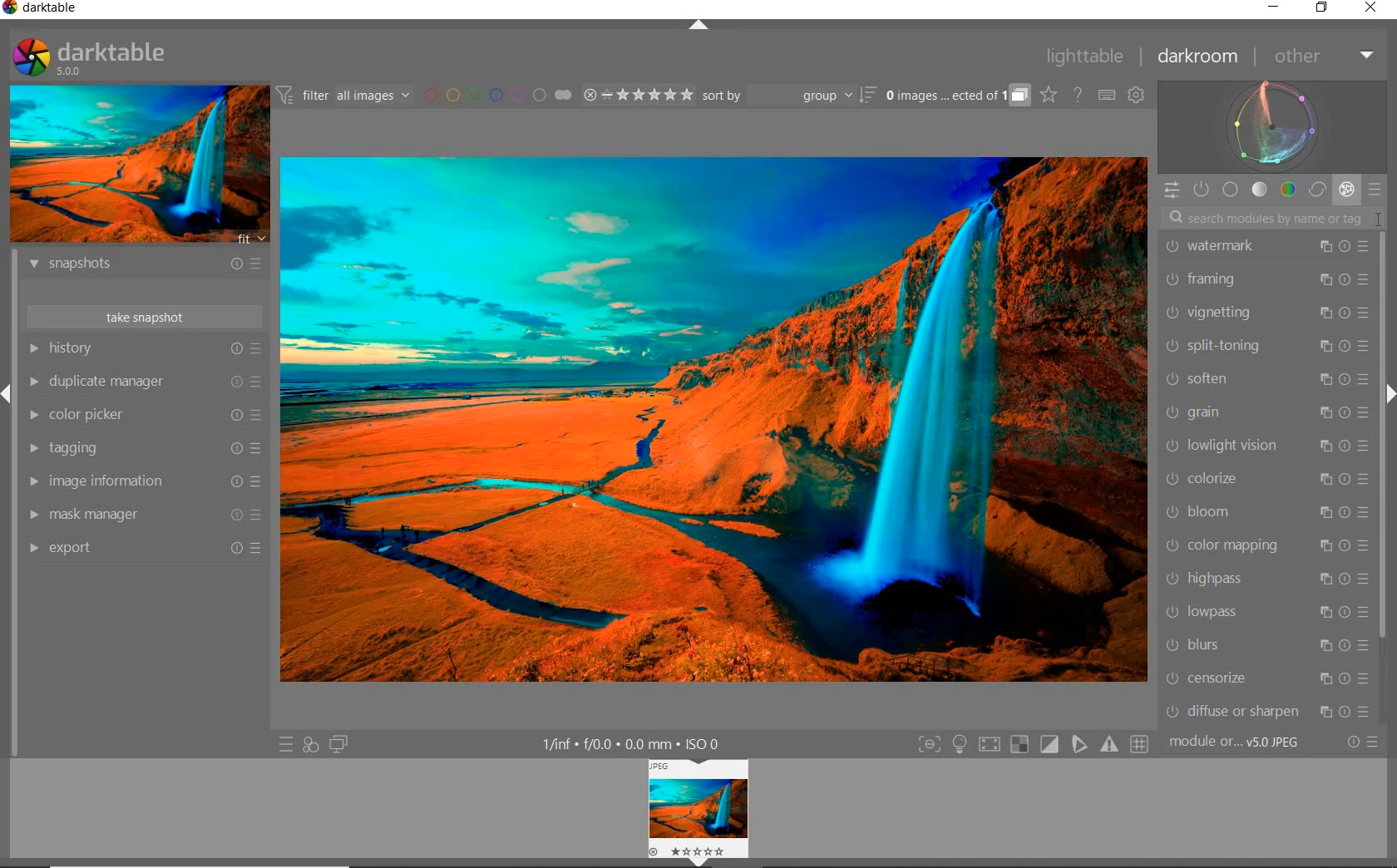 The height and width of the screenshot is (868, 1397). I want to click on TOGGLE MODES, so click(1032, 745).